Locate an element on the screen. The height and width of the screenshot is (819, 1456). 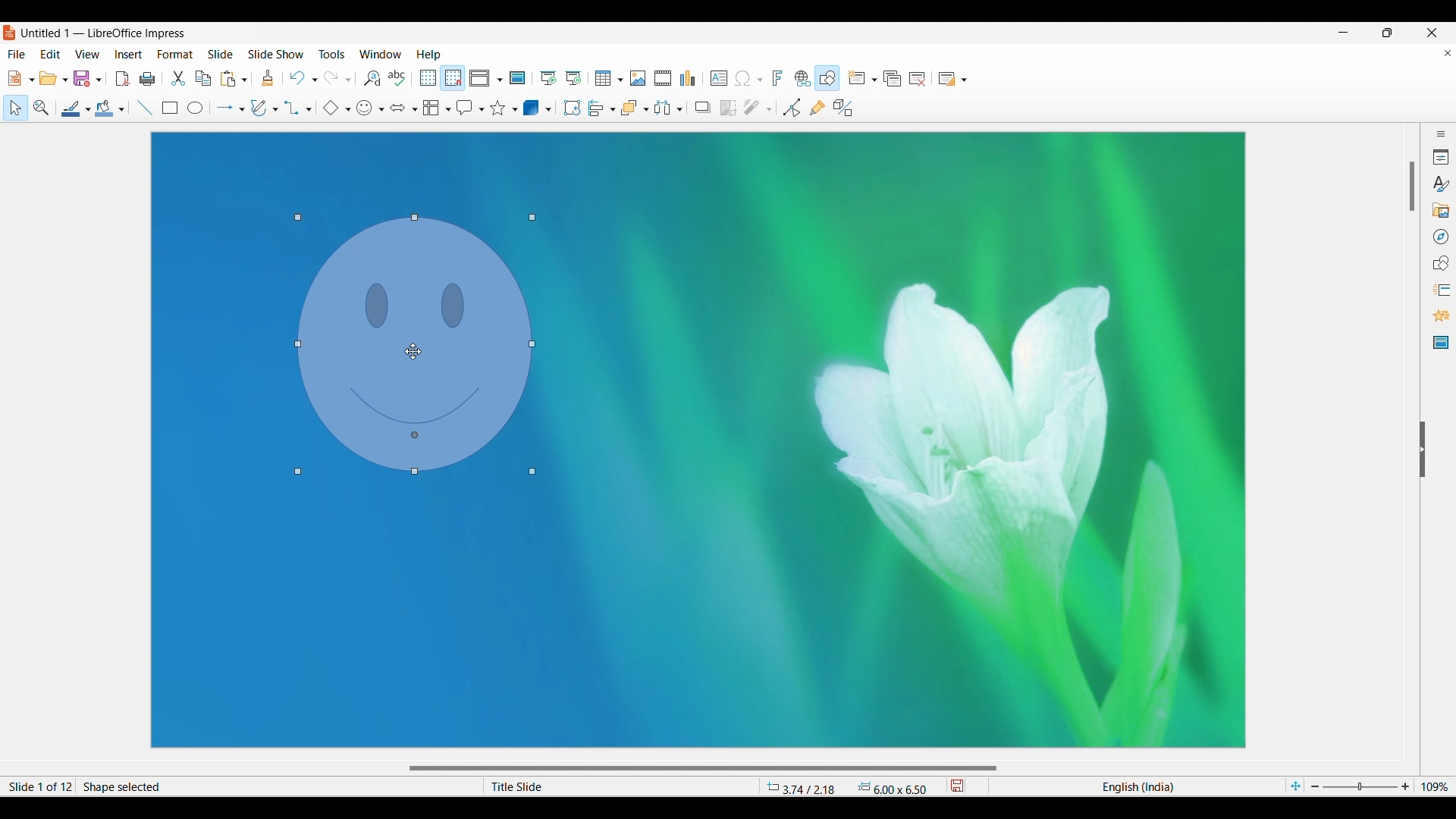
save modifications to document is located at coordinates (959, 786).